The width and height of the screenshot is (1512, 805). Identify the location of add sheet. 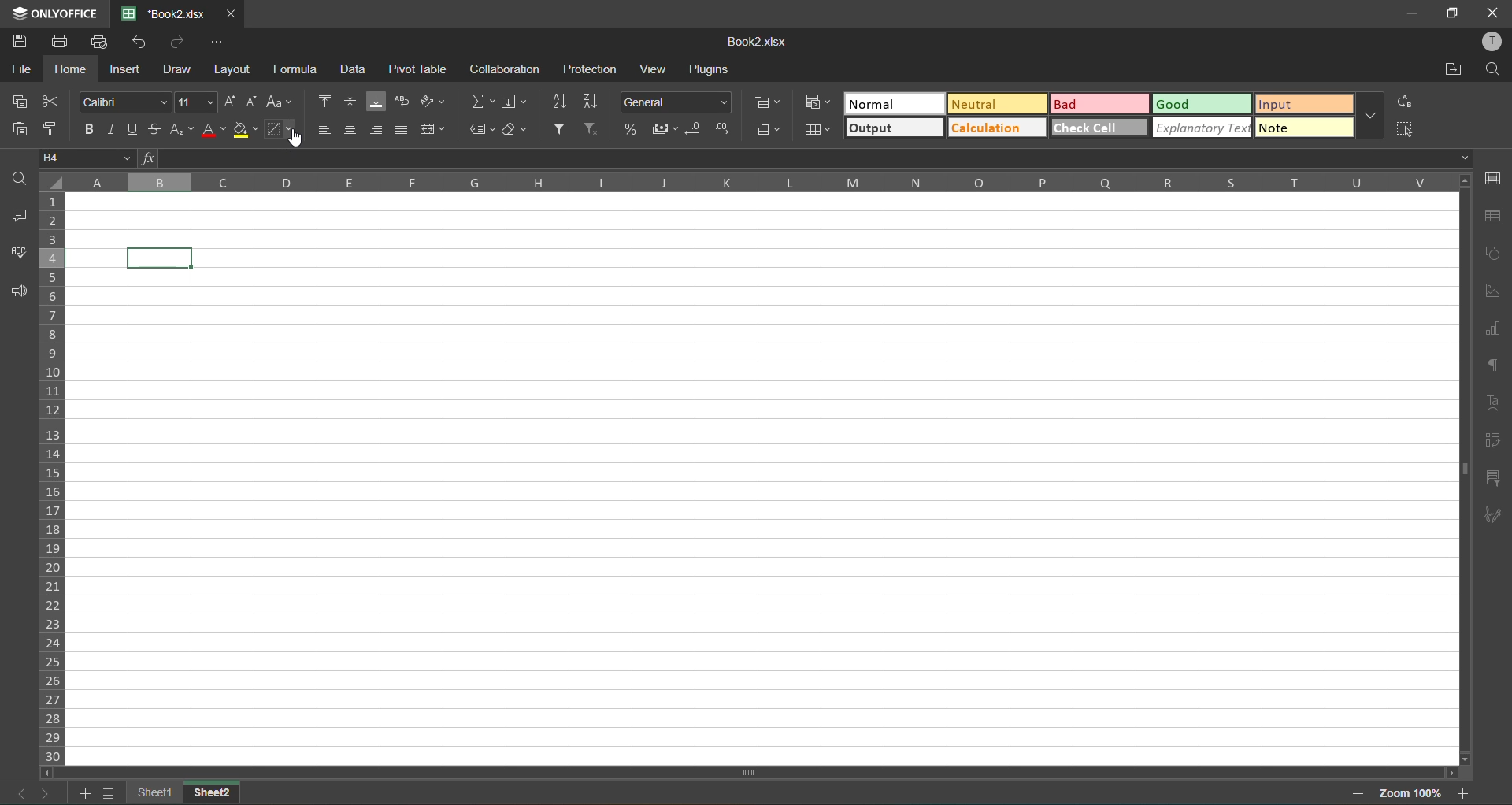
(89, 795).